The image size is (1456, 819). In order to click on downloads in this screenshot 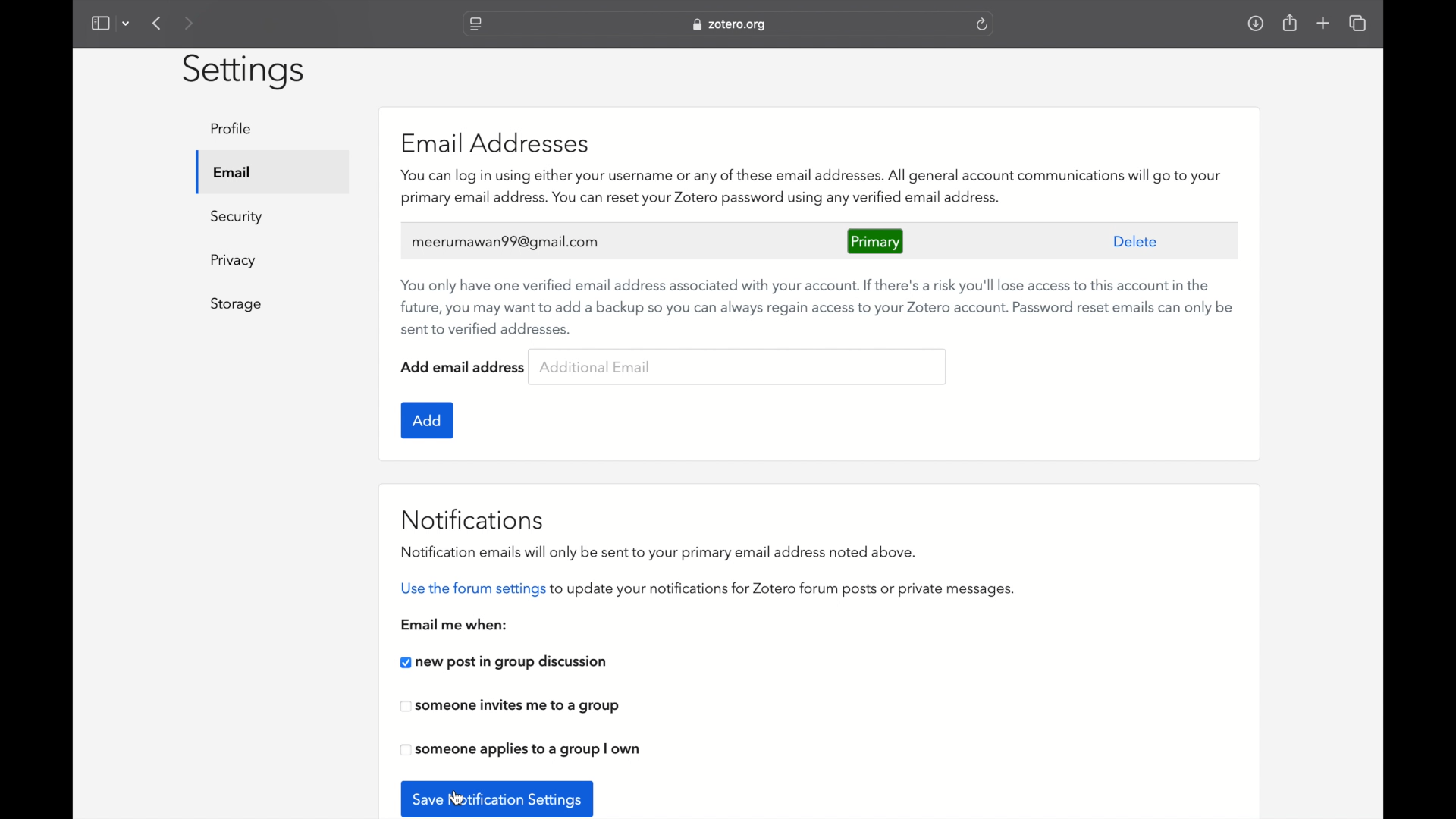, I will do `click(1255, 24)`.